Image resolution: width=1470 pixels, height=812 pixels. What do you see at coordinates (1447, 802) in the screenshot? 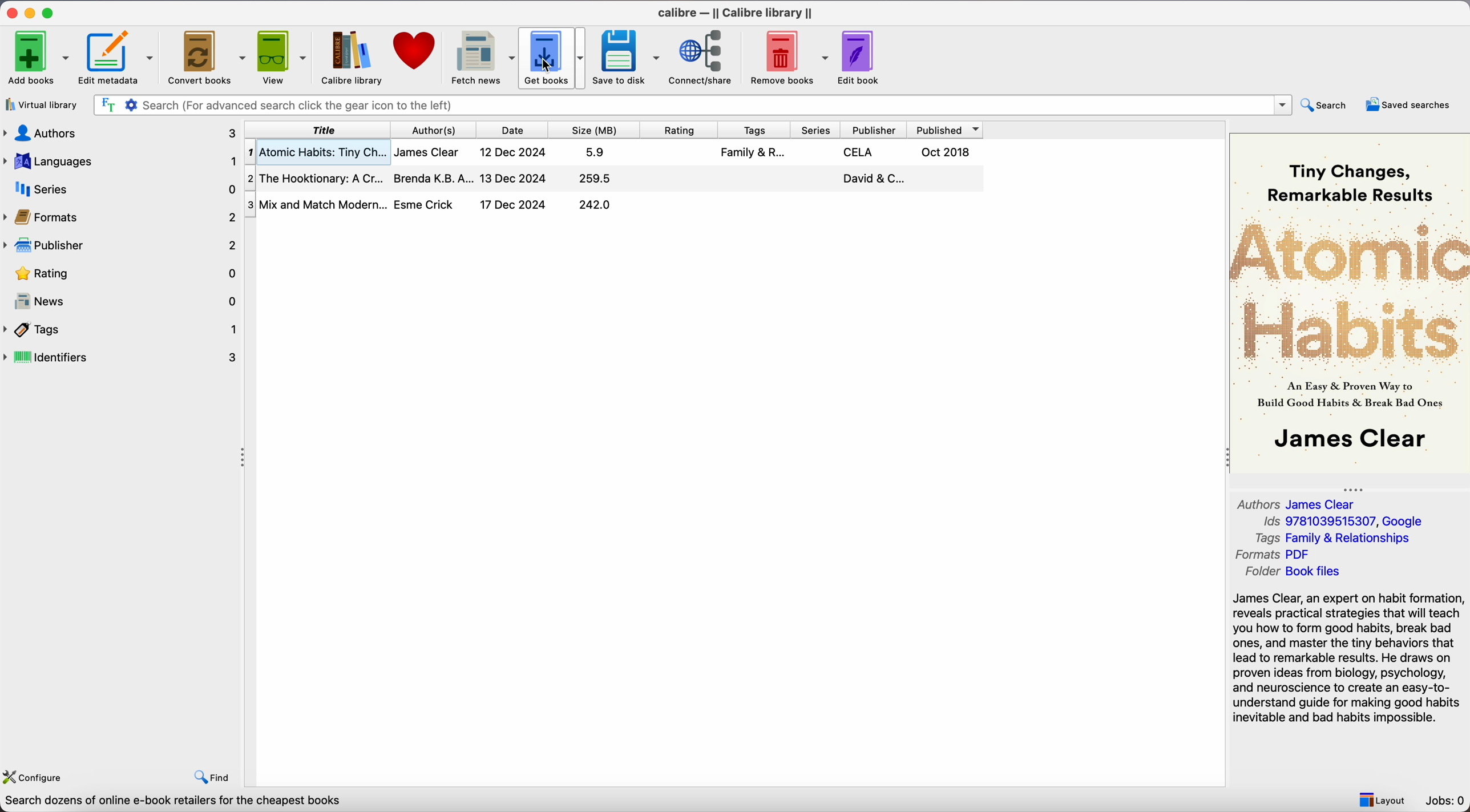
I see `Jobs: 0` at bounding box center [1447, 802].